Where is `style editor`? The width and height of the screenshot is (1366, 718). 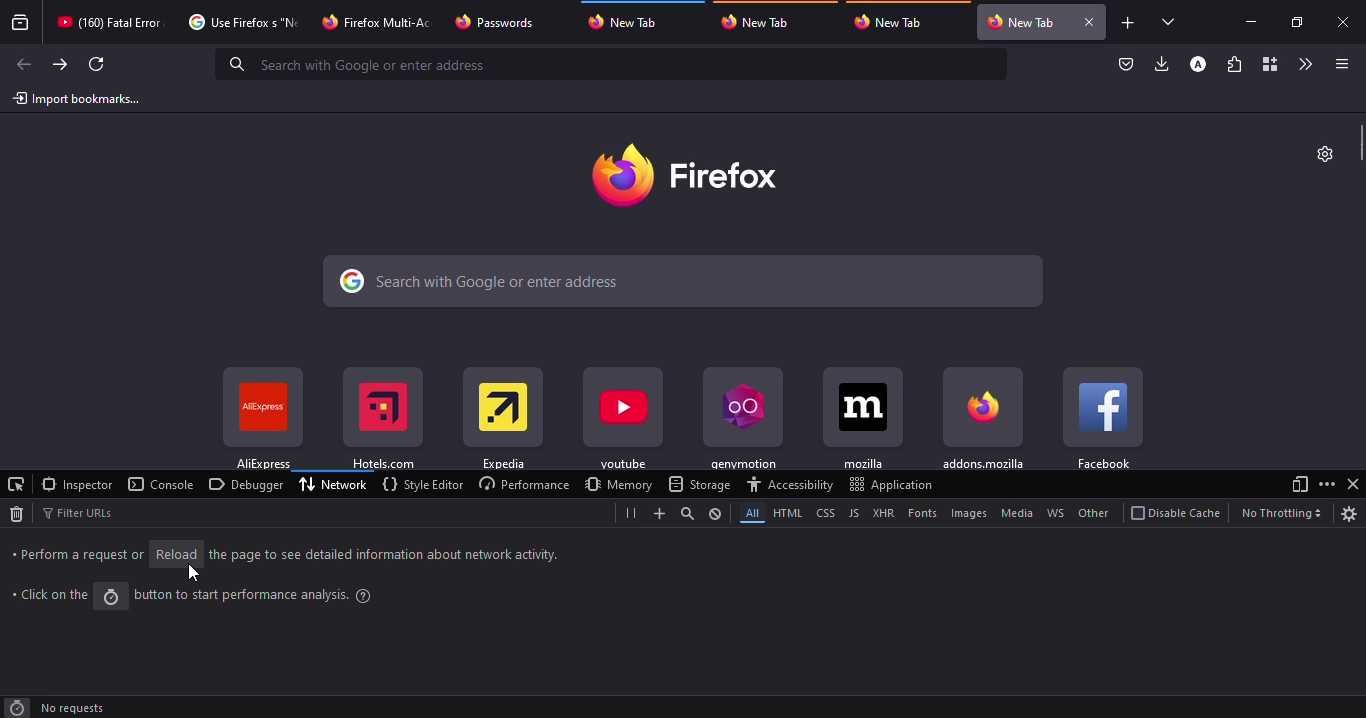 style editor is located at coordinates (421, 484).